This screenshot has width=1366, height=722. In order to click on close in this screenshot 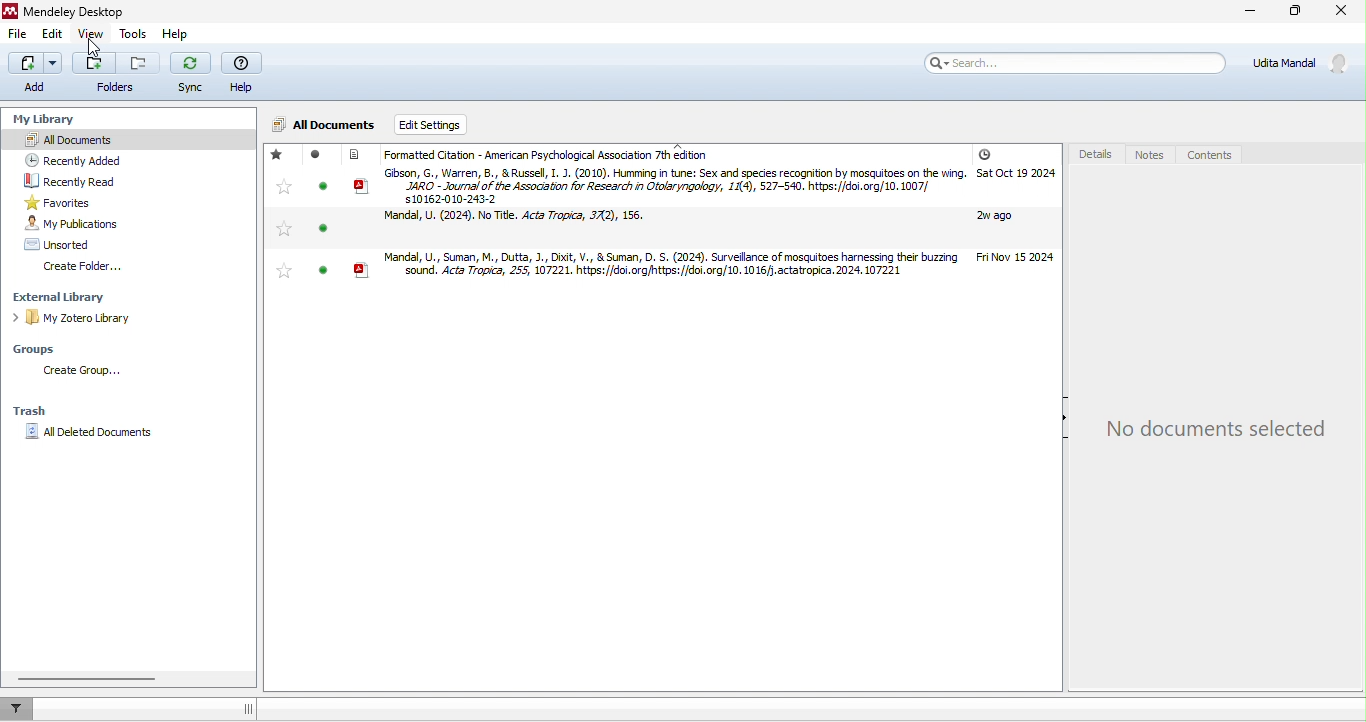, I will do `click(1339, 13)`.